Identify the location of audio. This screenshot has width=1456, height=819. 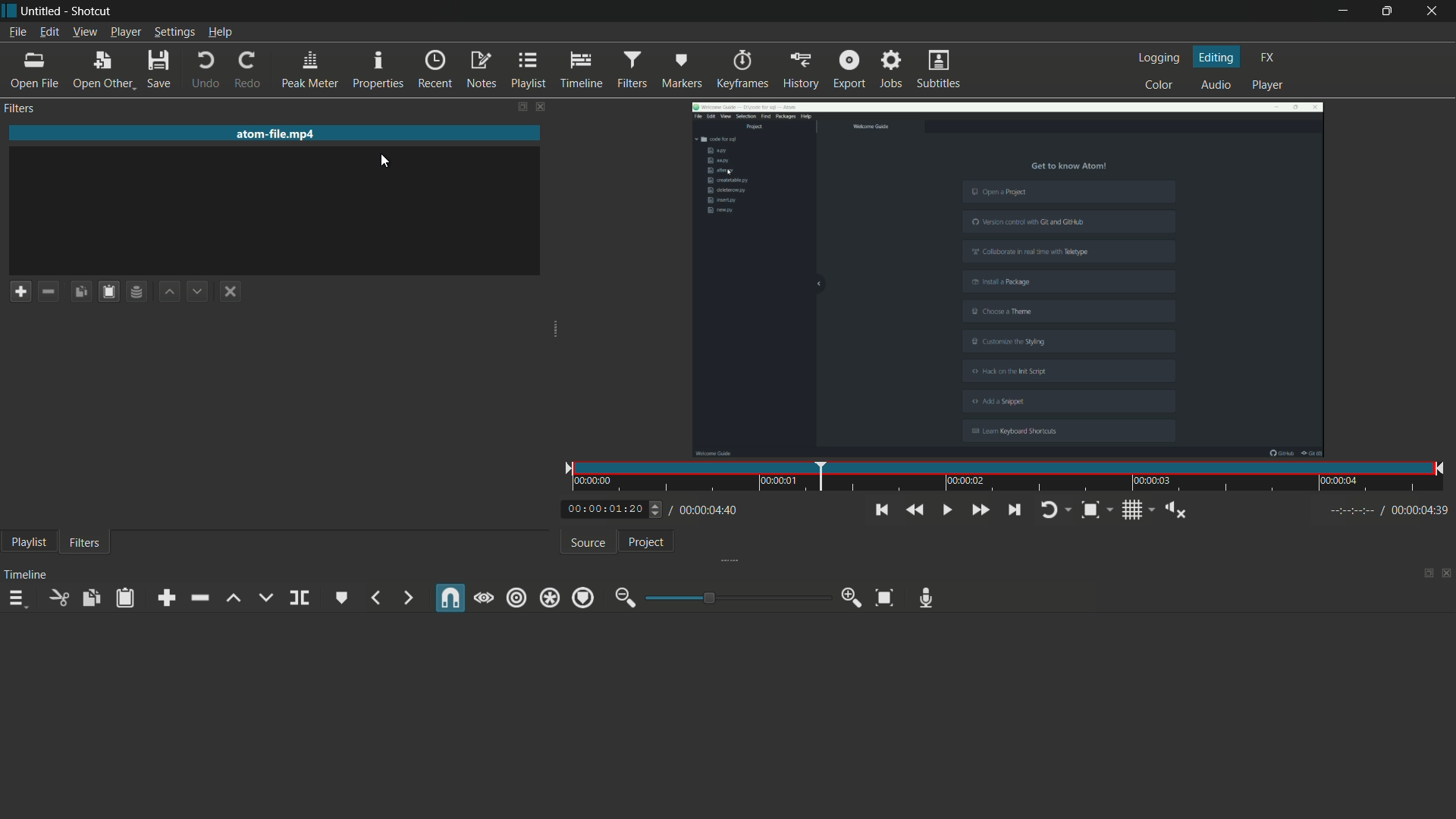
(1217, 85).